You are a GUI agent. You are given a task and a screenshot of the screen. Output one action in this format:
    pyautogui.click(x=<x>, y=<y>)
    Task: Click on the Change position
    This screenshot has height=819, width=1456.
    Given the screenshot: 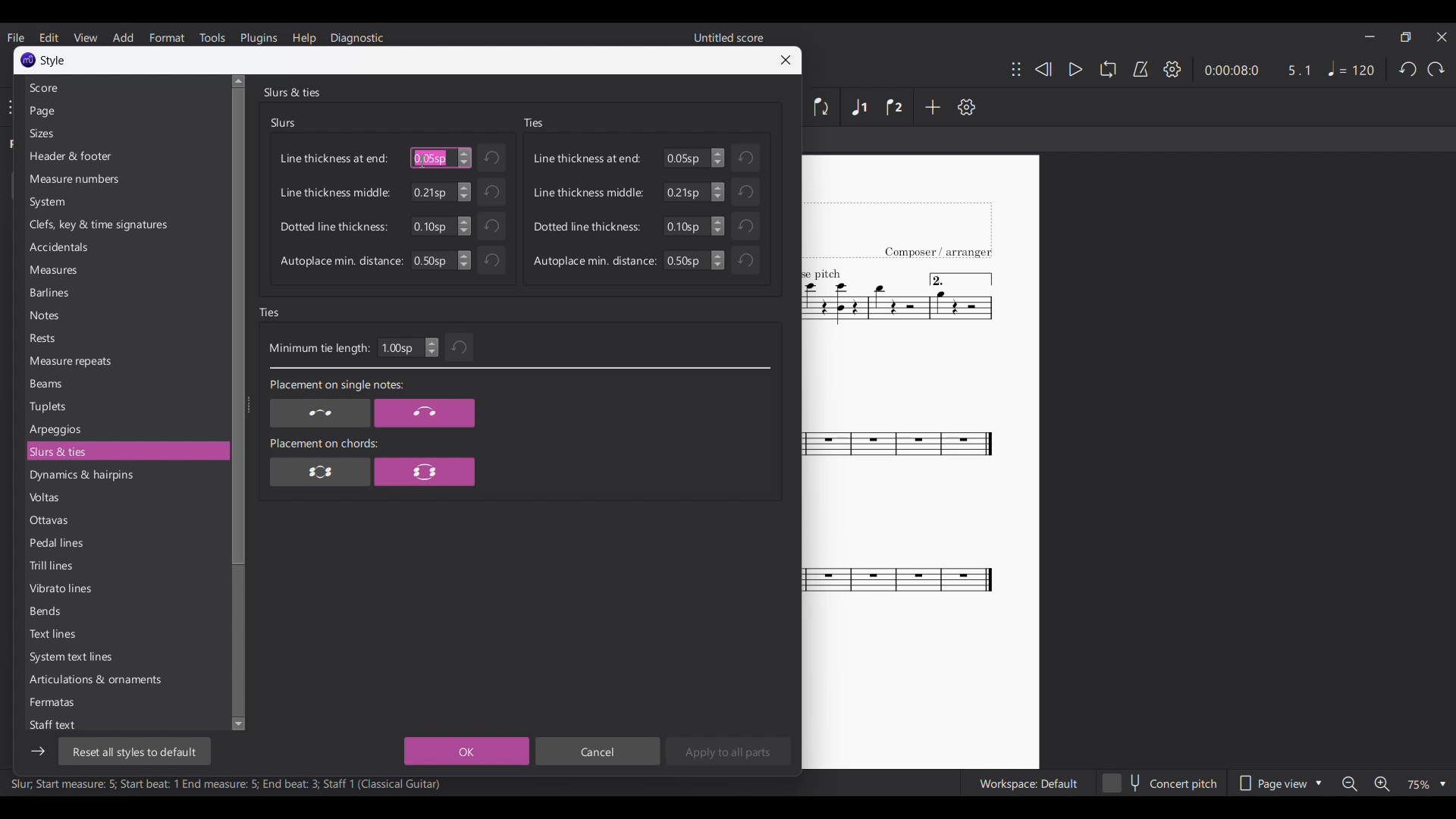 What is the action you would take?
    pyautogui.click(x=1016, y=69)
    